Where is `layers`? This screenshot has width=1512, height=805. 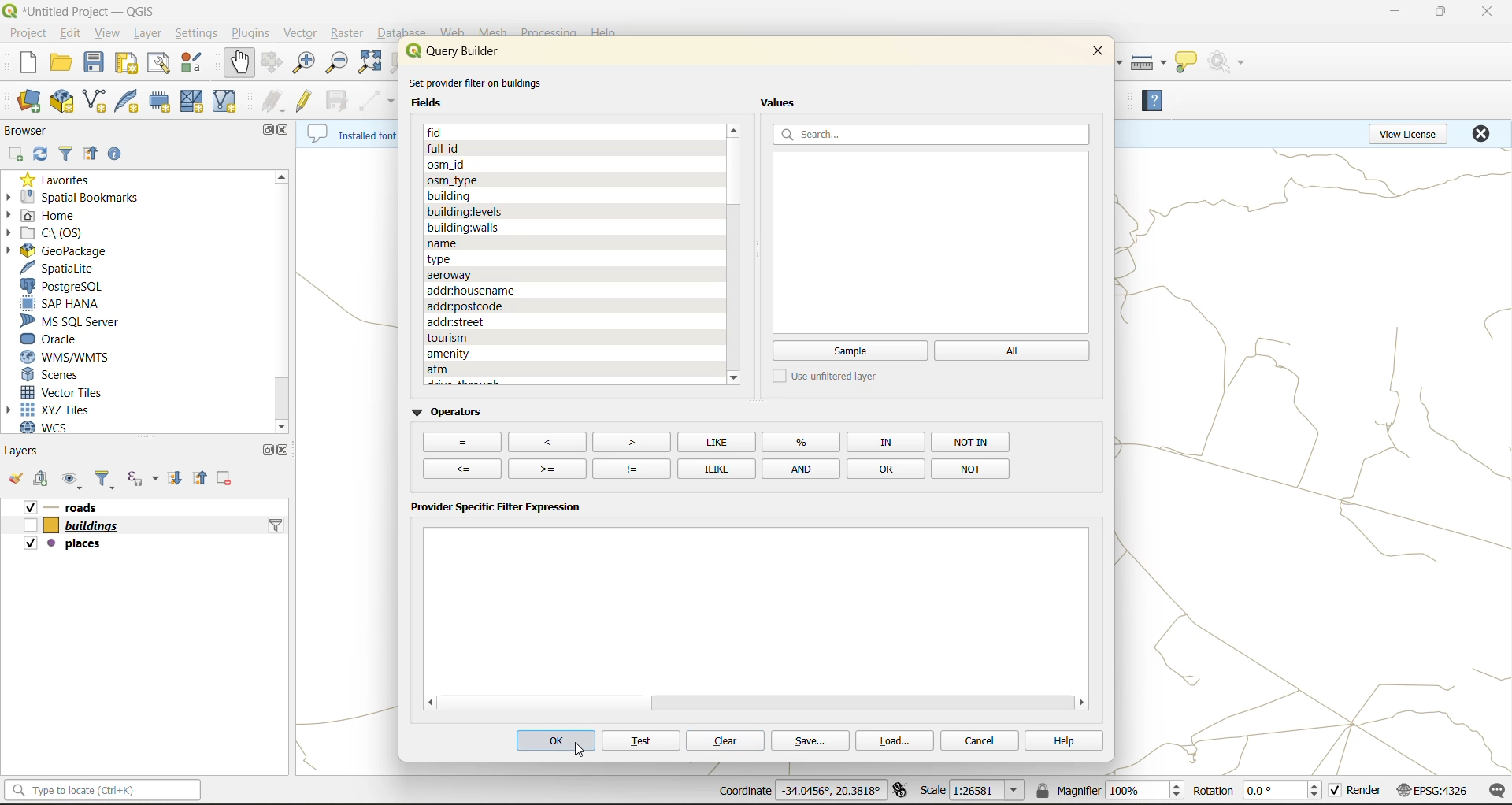
layers is located at coordinates (88, 506).